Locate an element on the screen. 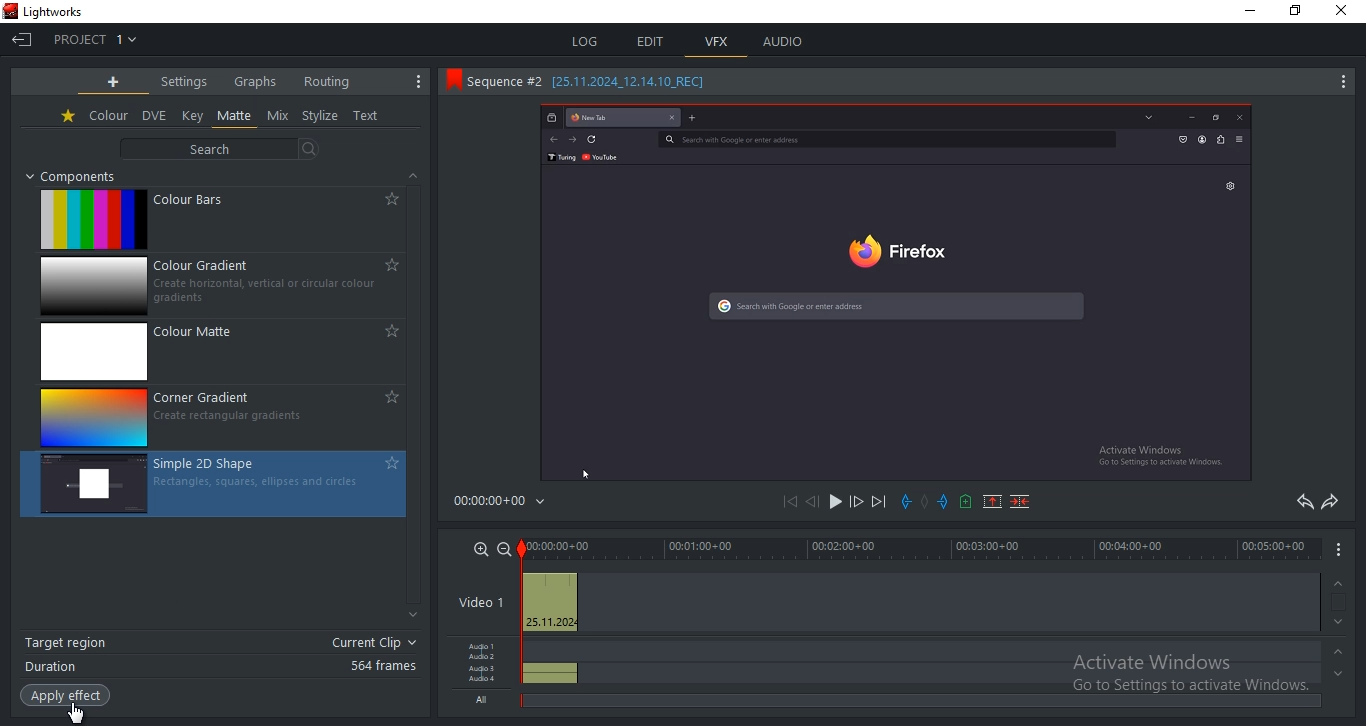 The image size is (1366, 726). timeline is located at coordinates (919, 547).